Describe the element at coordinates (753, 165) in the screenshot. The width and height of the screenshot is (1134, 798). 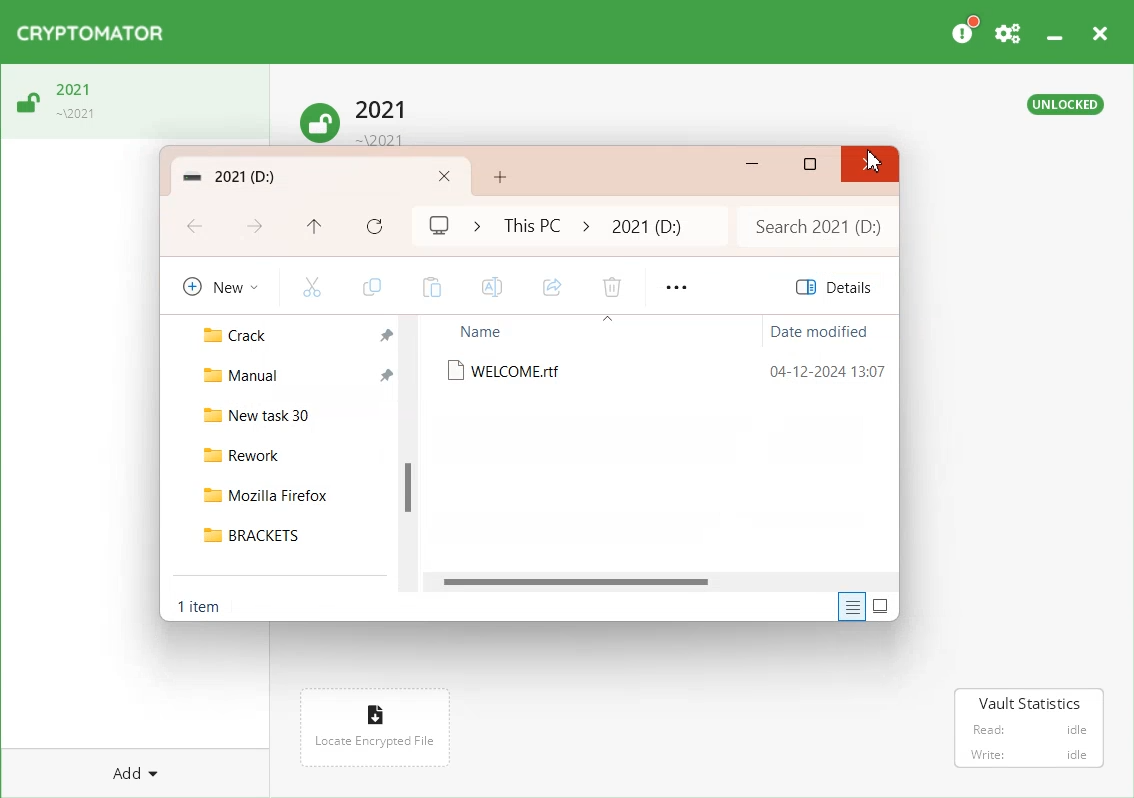
I see `Minimize` at that location.